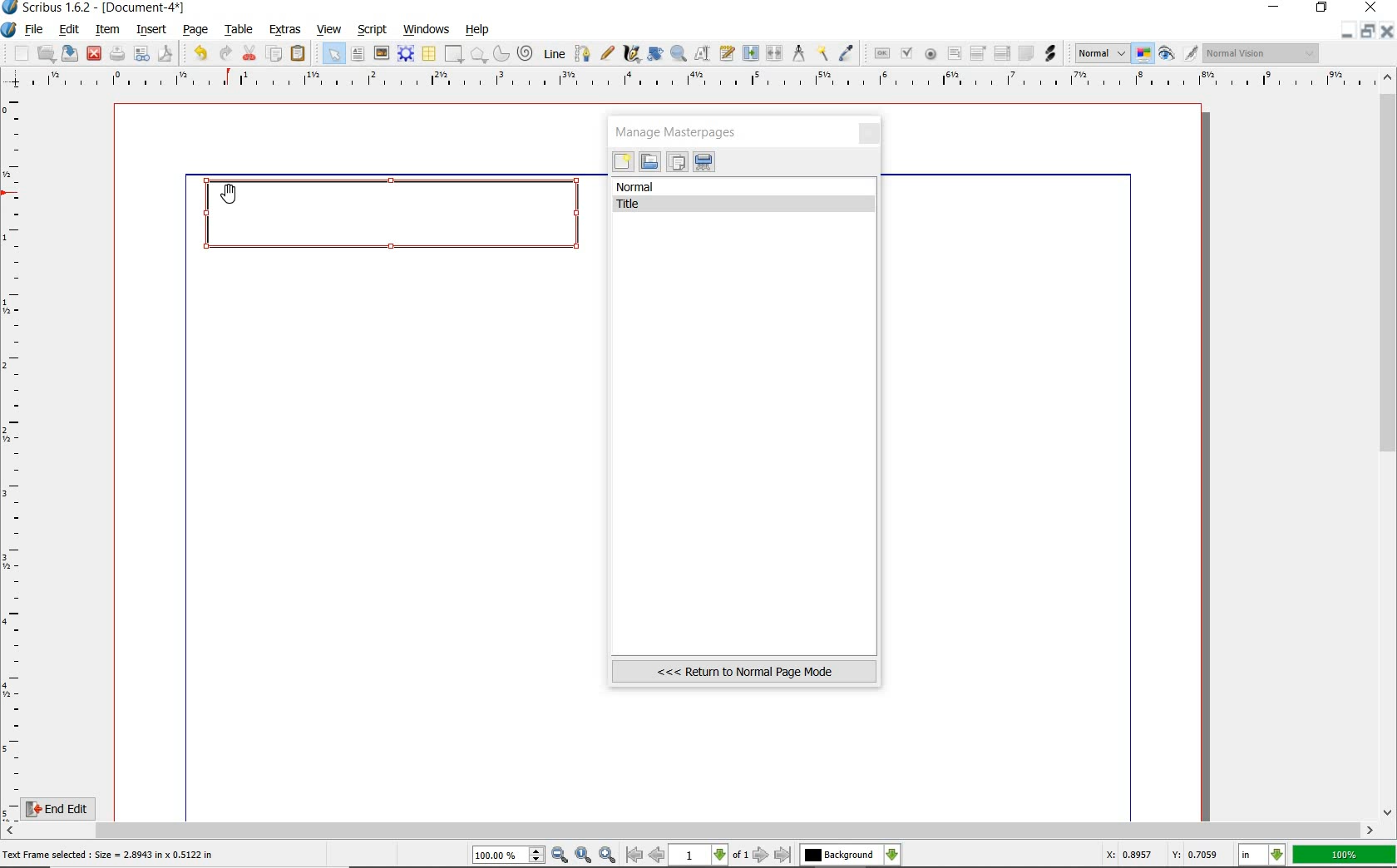  What do you see at coordinates (1050, 52) in the screenshot?
I see `link annotation` at bounding box center [1050, 52].